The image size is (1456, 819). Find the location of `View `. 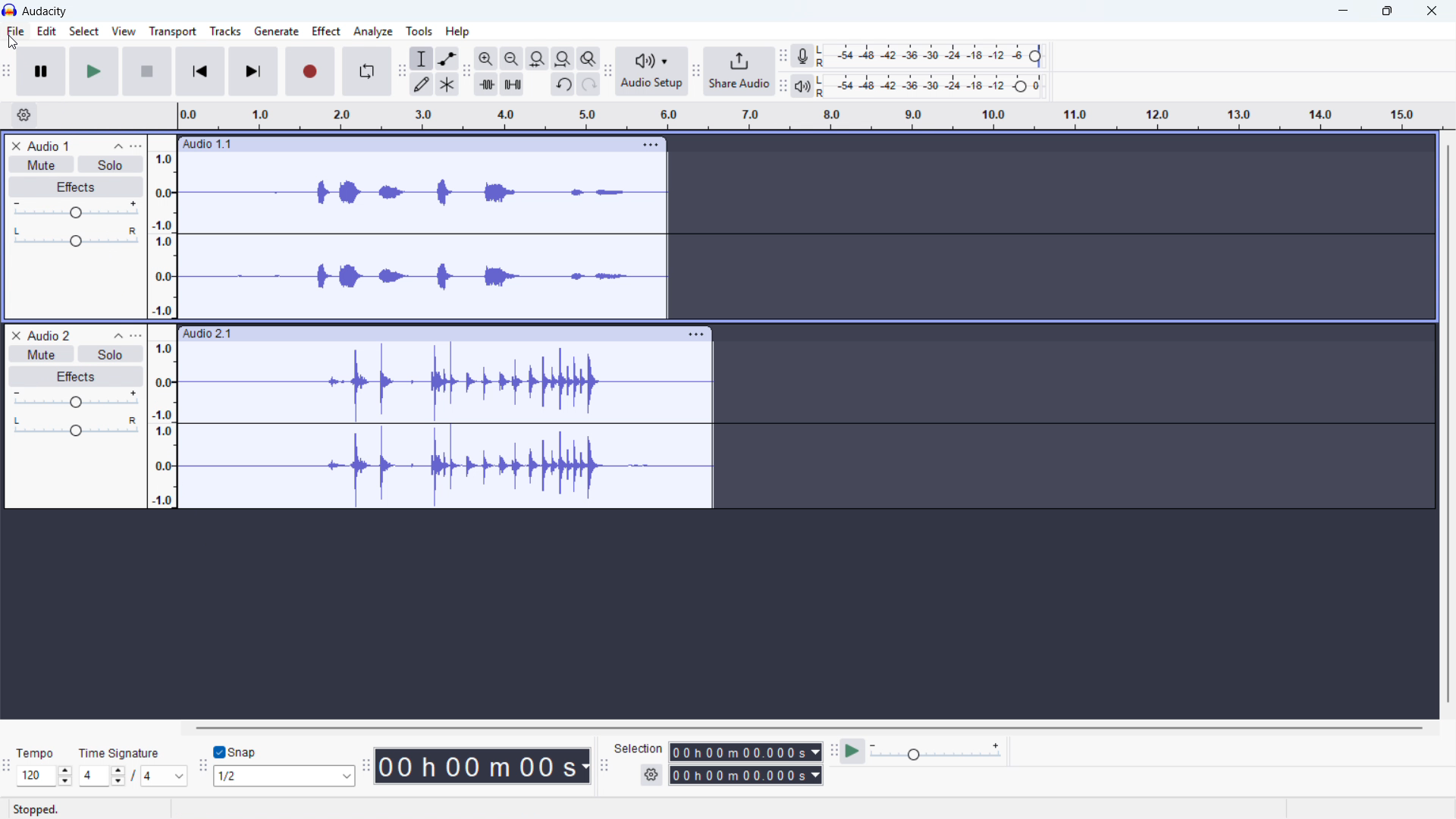

View  is located at coordinates (124, 31).